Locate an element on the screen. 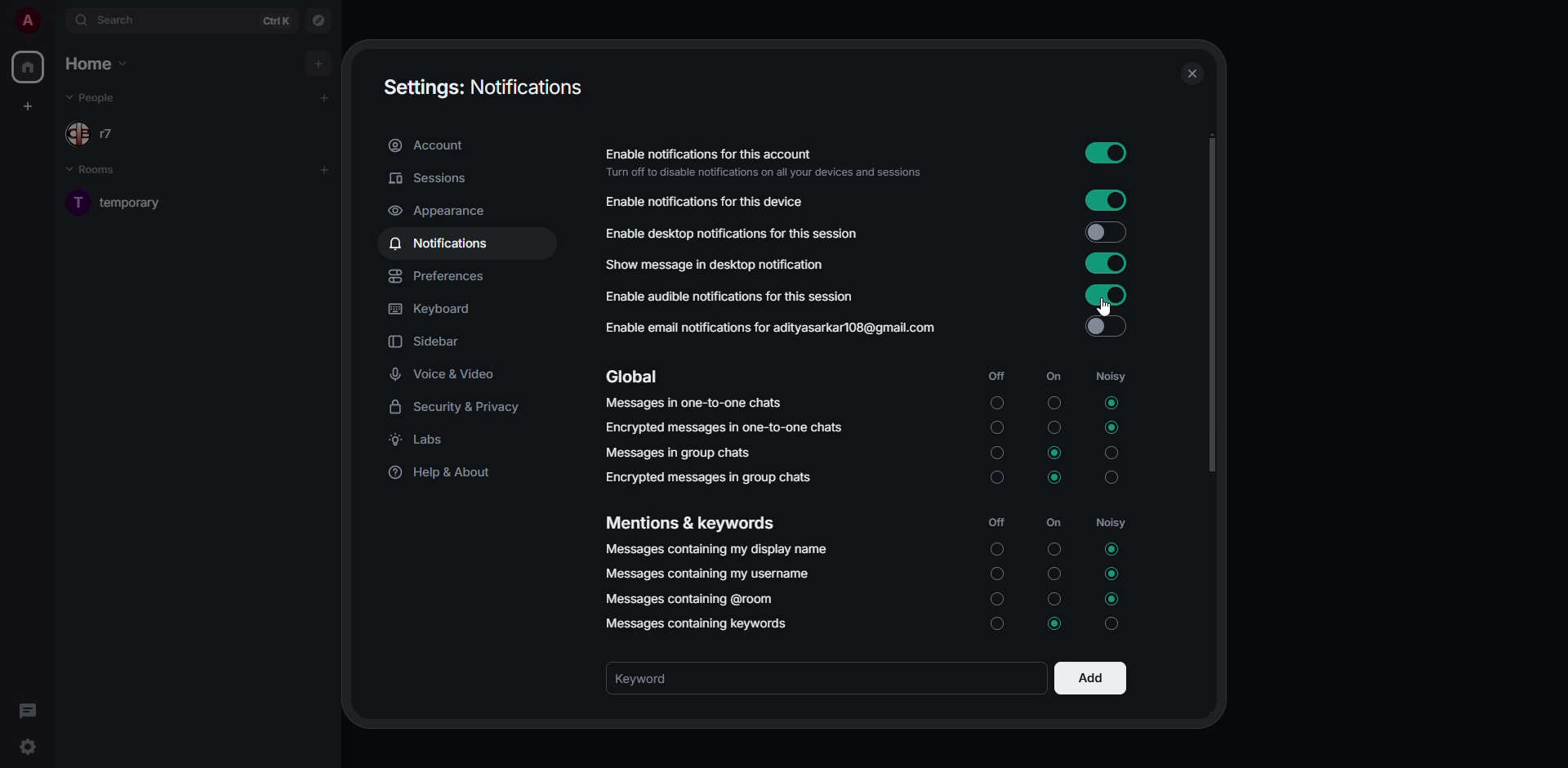 Image resolution: width=1568 pixels, height=768 pixels. messages containing username is located at coordinates (706, 573).